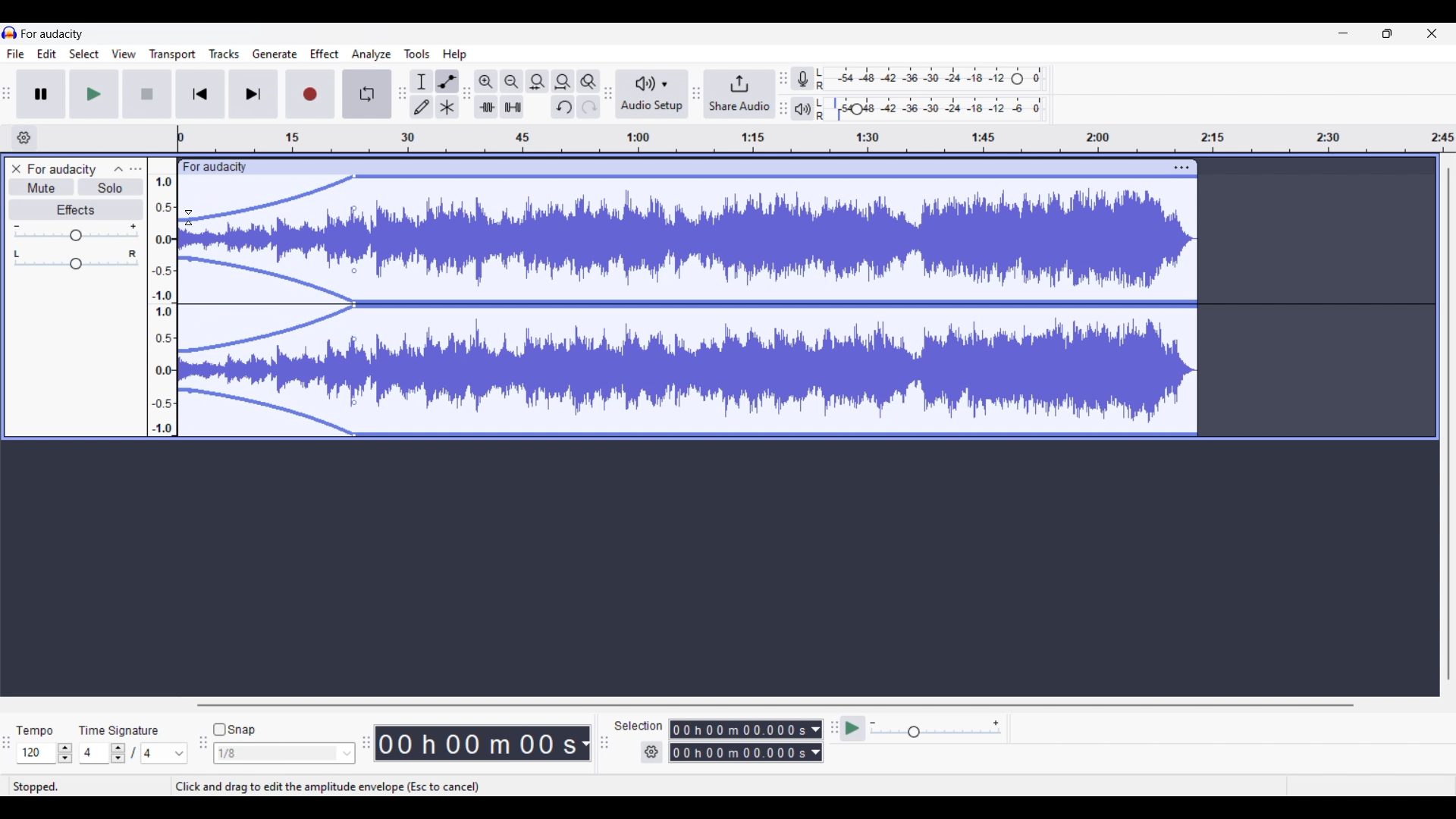 The height and width of the screenshot is (819, 1456). Describe the element at coordinates (585, 744) in the screenshot. I see `Duration measurement options` at that location.